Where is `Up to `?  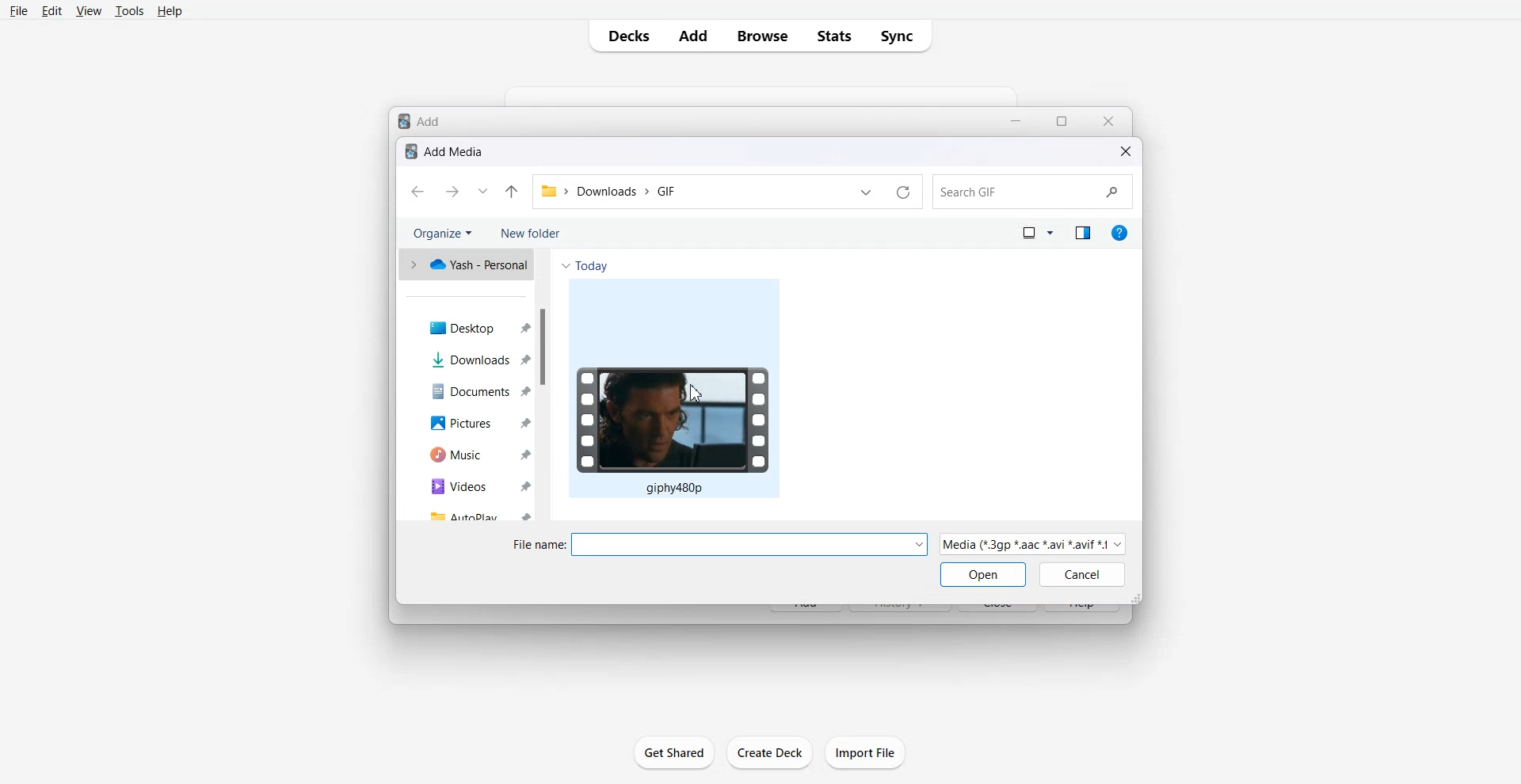 Up to  is located at coordinates (513, 193).